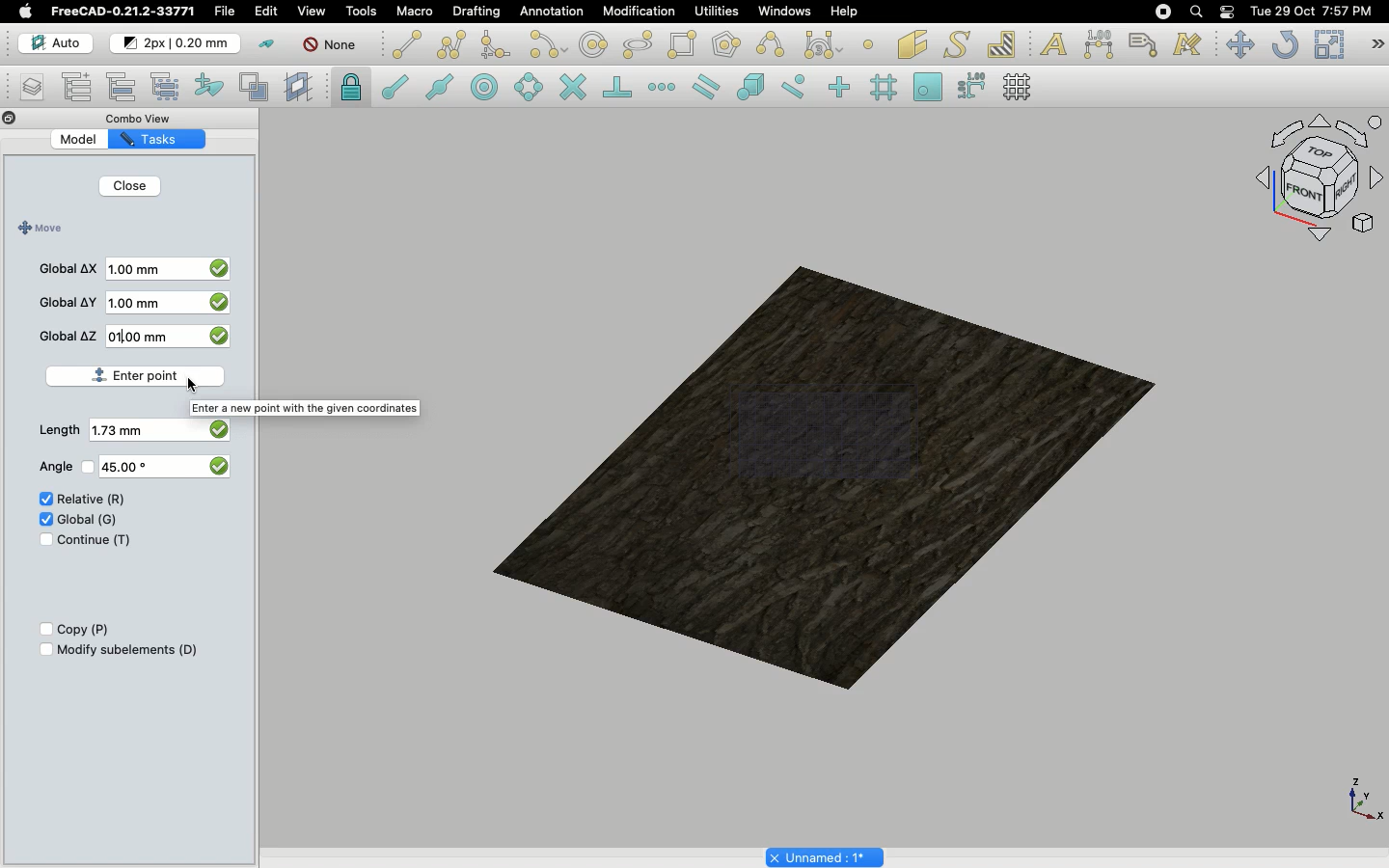 The width and height of the screenshot is (1389, 868). What do you see at coordinates (717, 12) in the screenshot?
I see `Utilities` at bounding box center [717, 12].